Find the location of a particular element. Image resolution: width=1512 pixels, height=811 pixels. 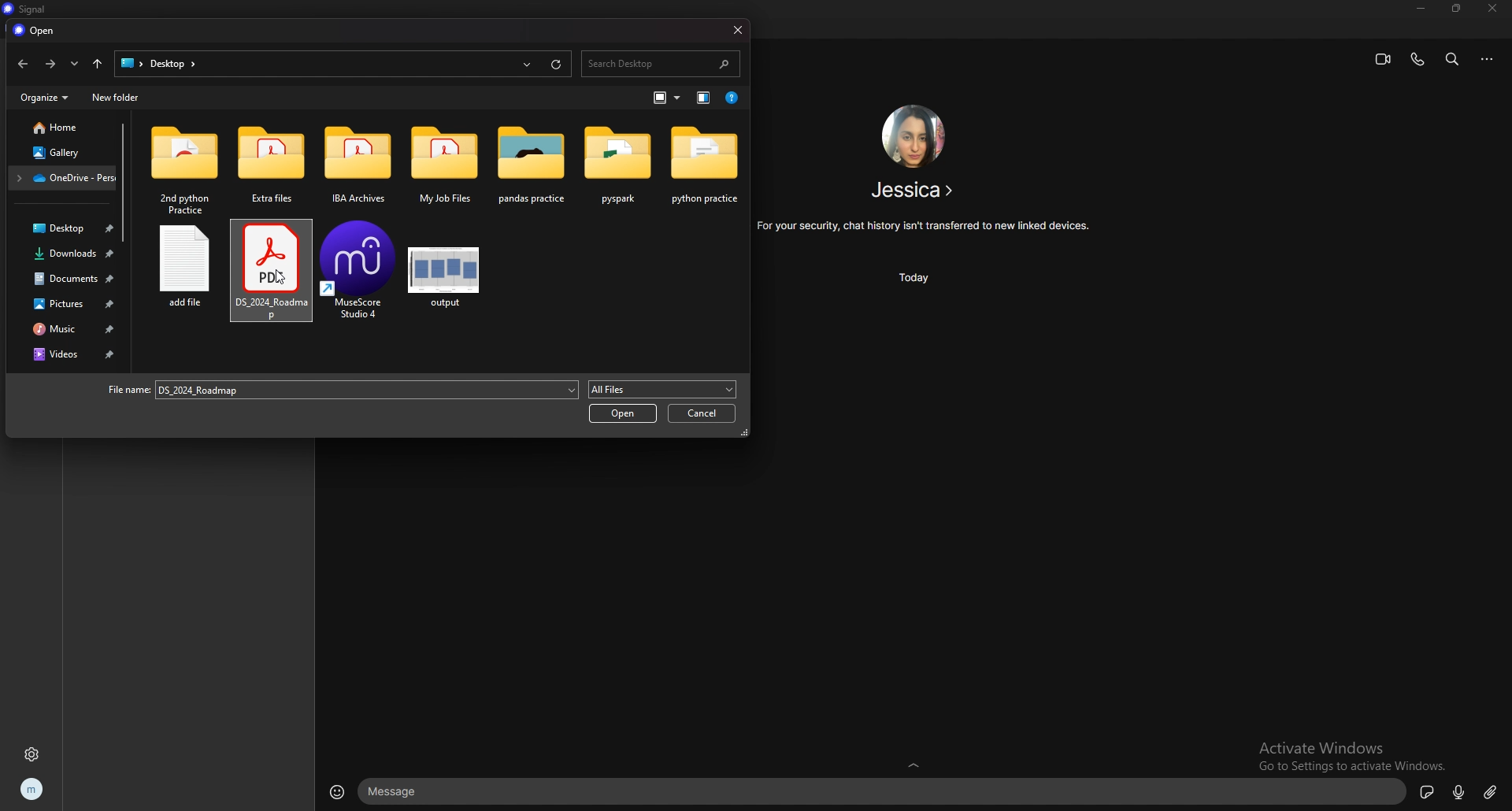

forward is located at coordinates (50, 65).